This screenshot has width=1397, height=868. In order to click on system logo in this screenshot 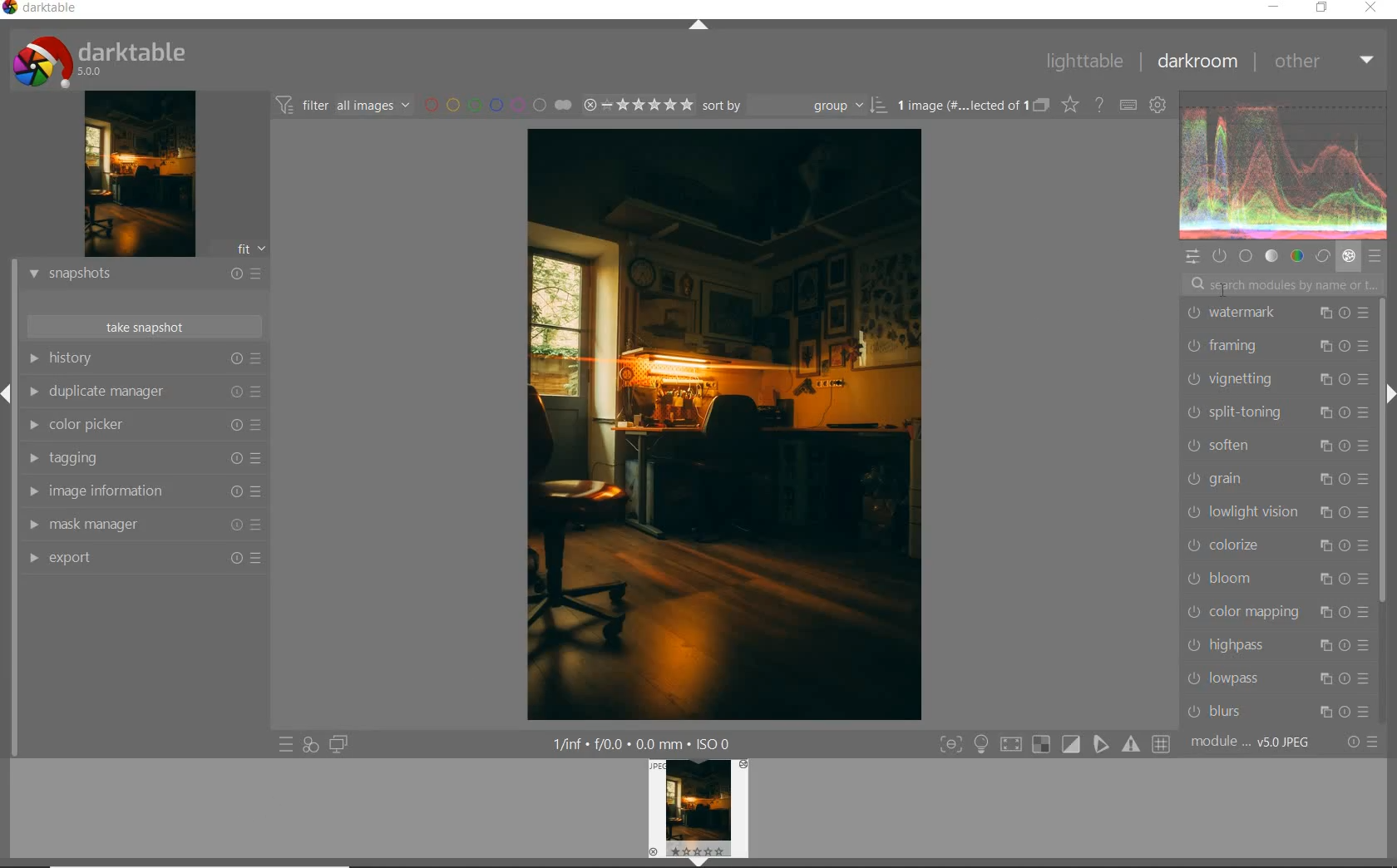, I will do `click(94, 62)`.